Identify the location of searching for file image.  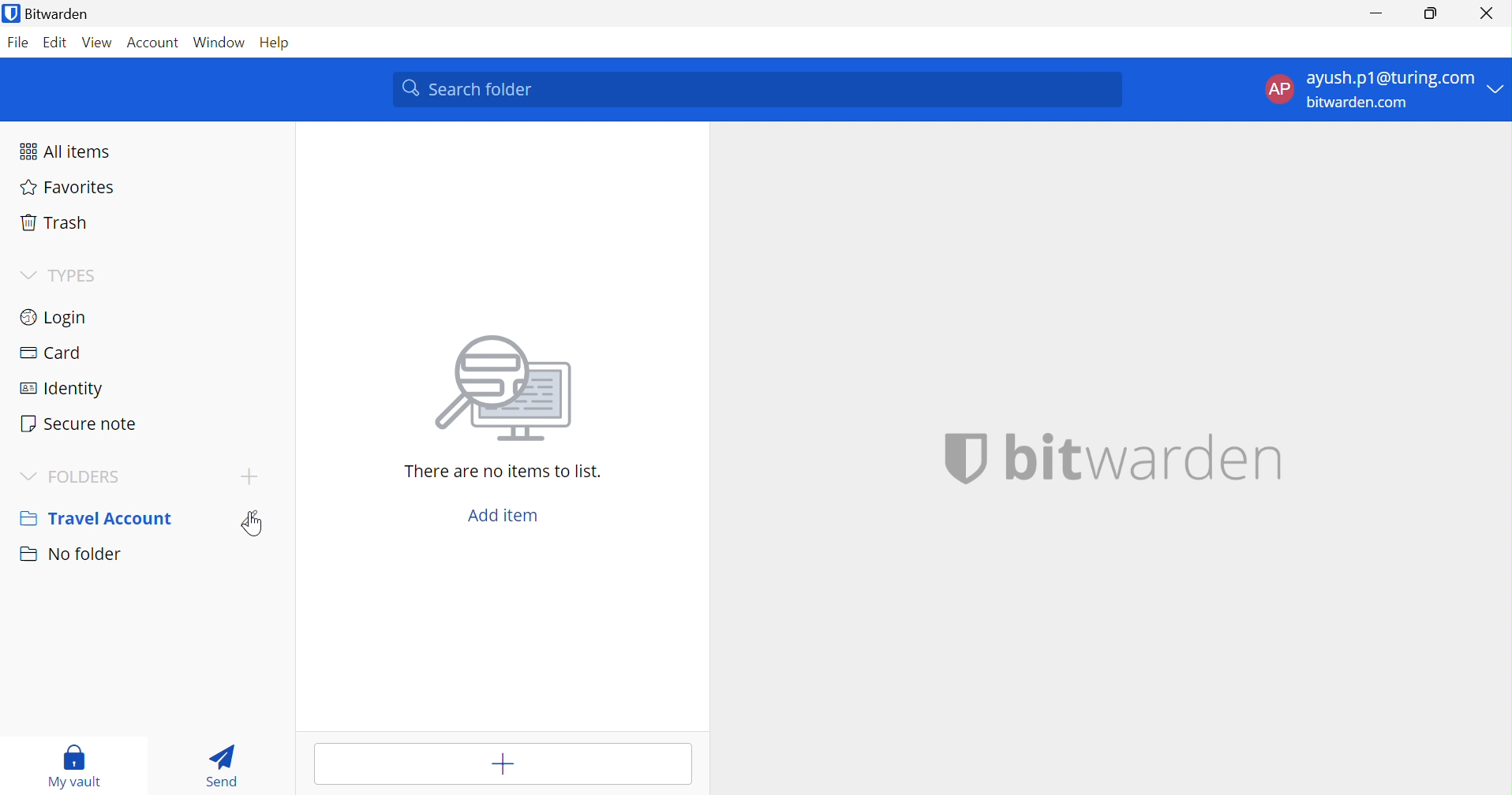
(505, 390).